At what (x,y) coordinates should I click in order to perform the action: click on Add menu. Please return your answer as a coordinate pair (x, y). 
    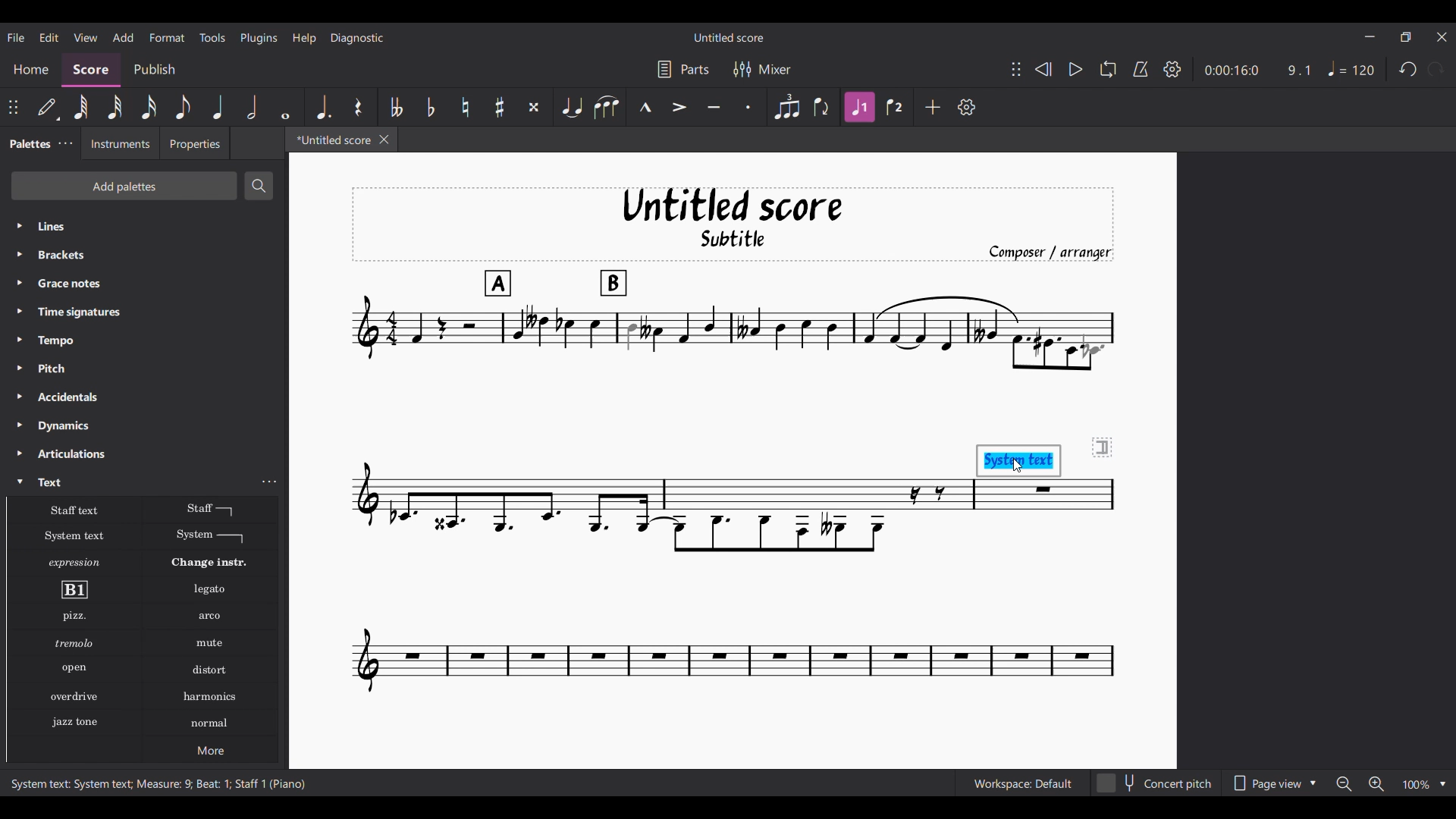
    Looking at the image, I should click on (124, 37).